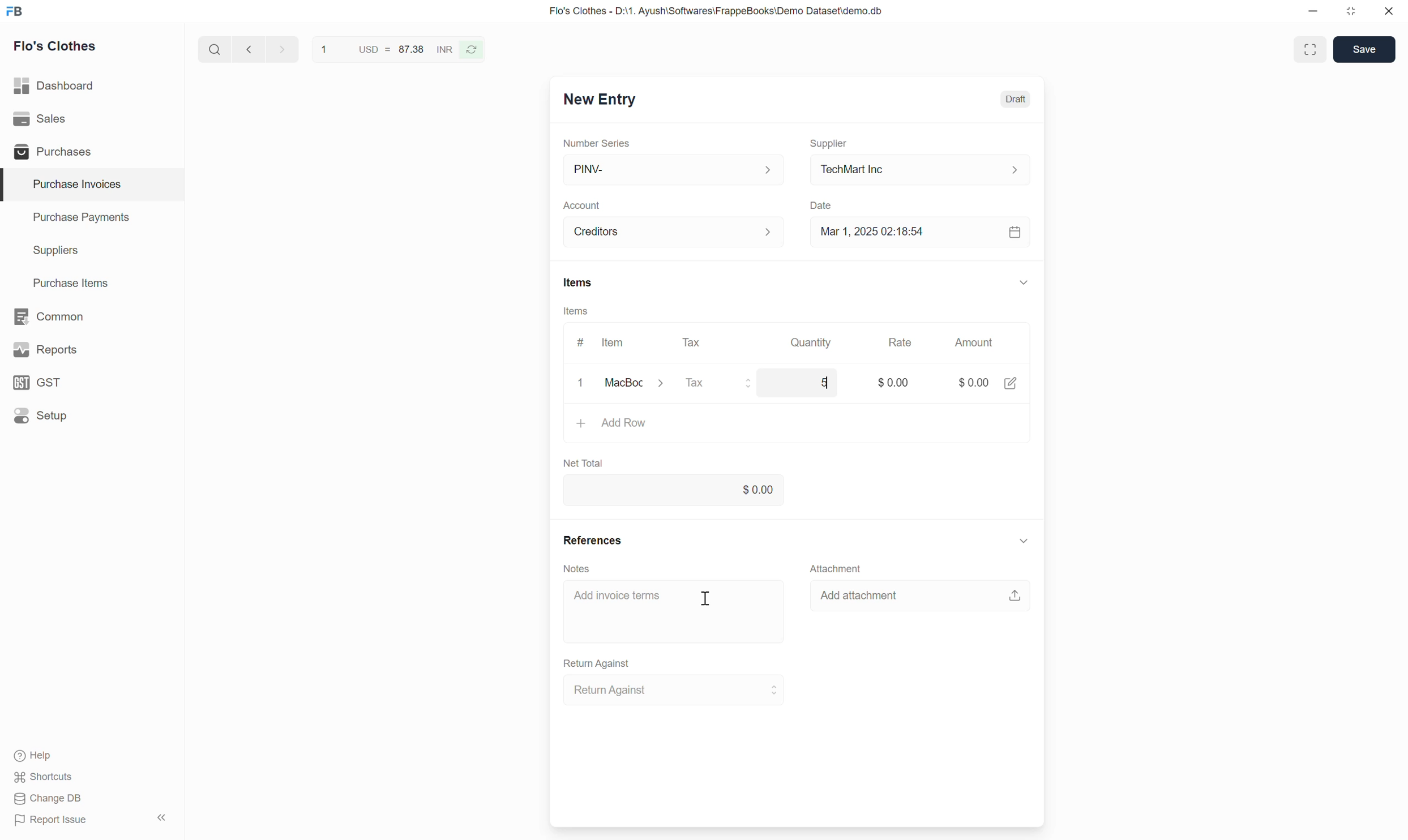  I want to click on Rate, so click(900, 342).